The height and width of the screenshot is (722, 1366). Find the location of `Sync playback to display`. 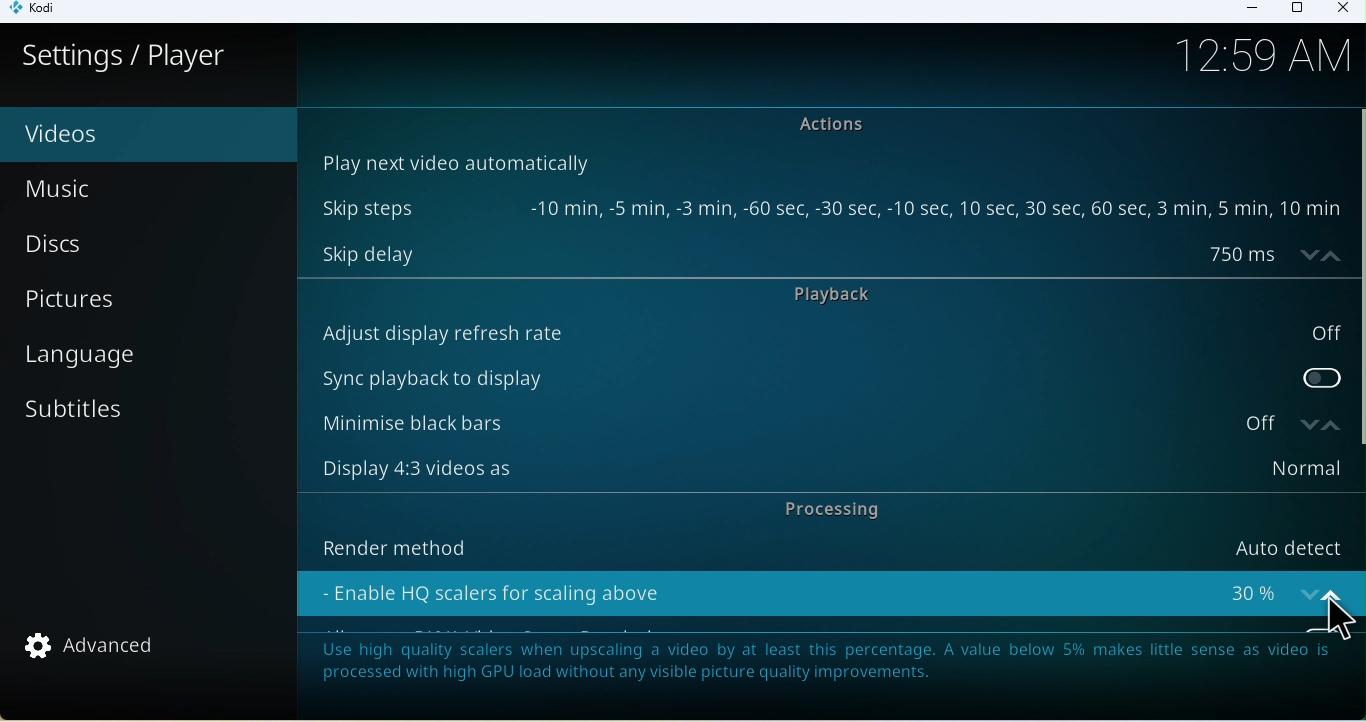

Sync playback to display is located at coordinates (829, 374).